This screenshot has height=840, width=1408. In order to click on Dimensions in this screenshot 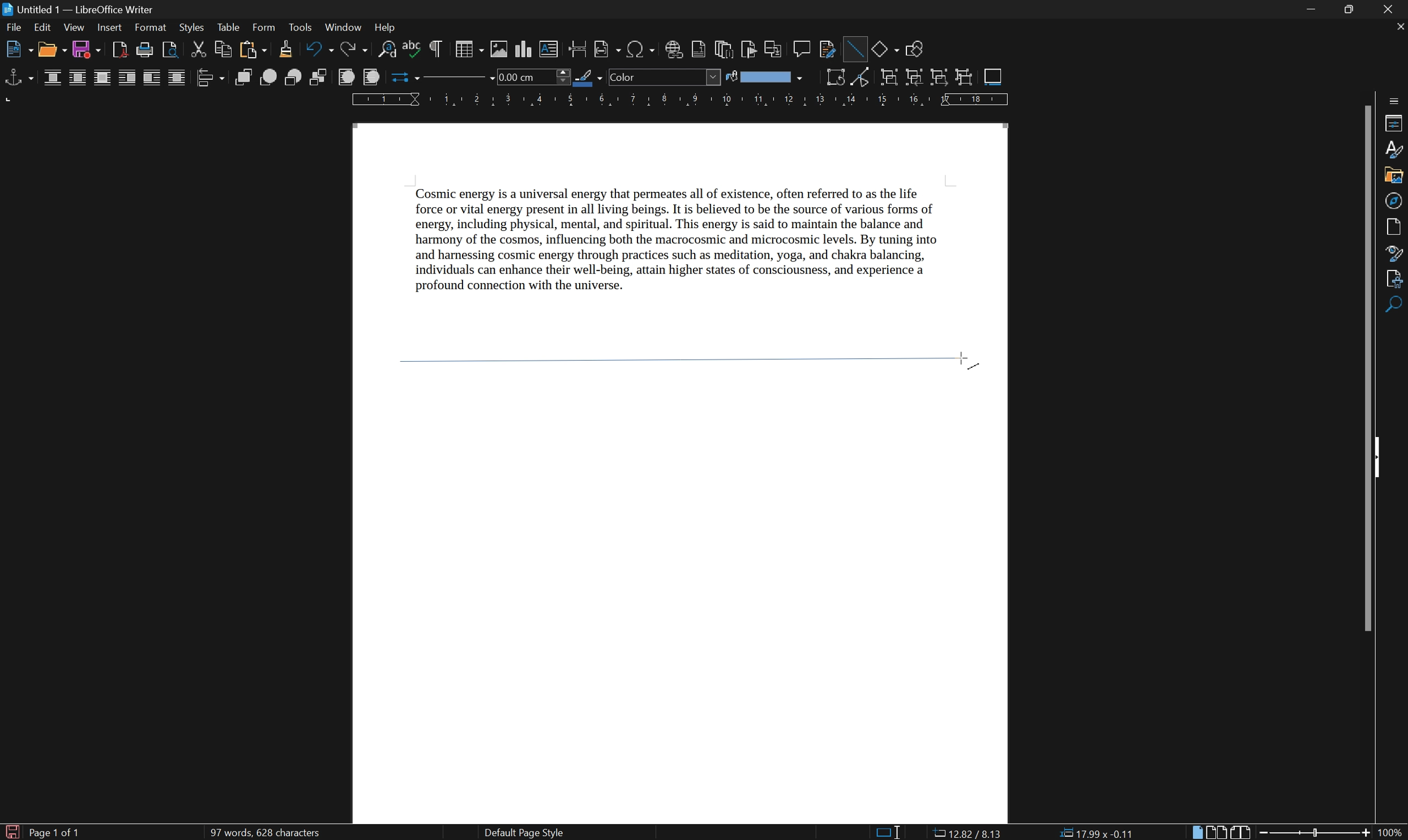, I will do `click(1097, 832)`.